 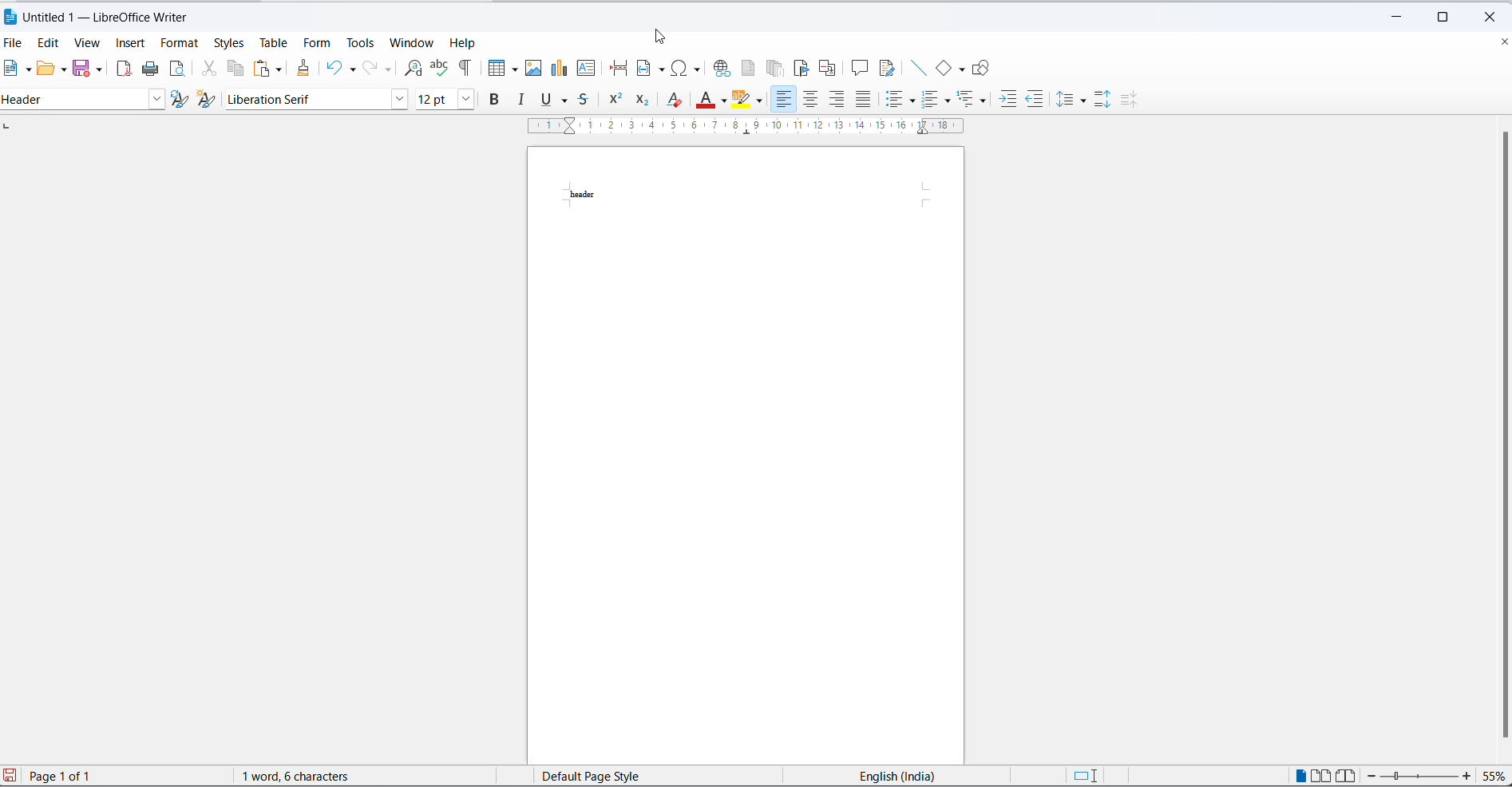 What do you see at coordinates (236, 69) in the screenshot?
I see `copy` at bounding box center [236, 69].